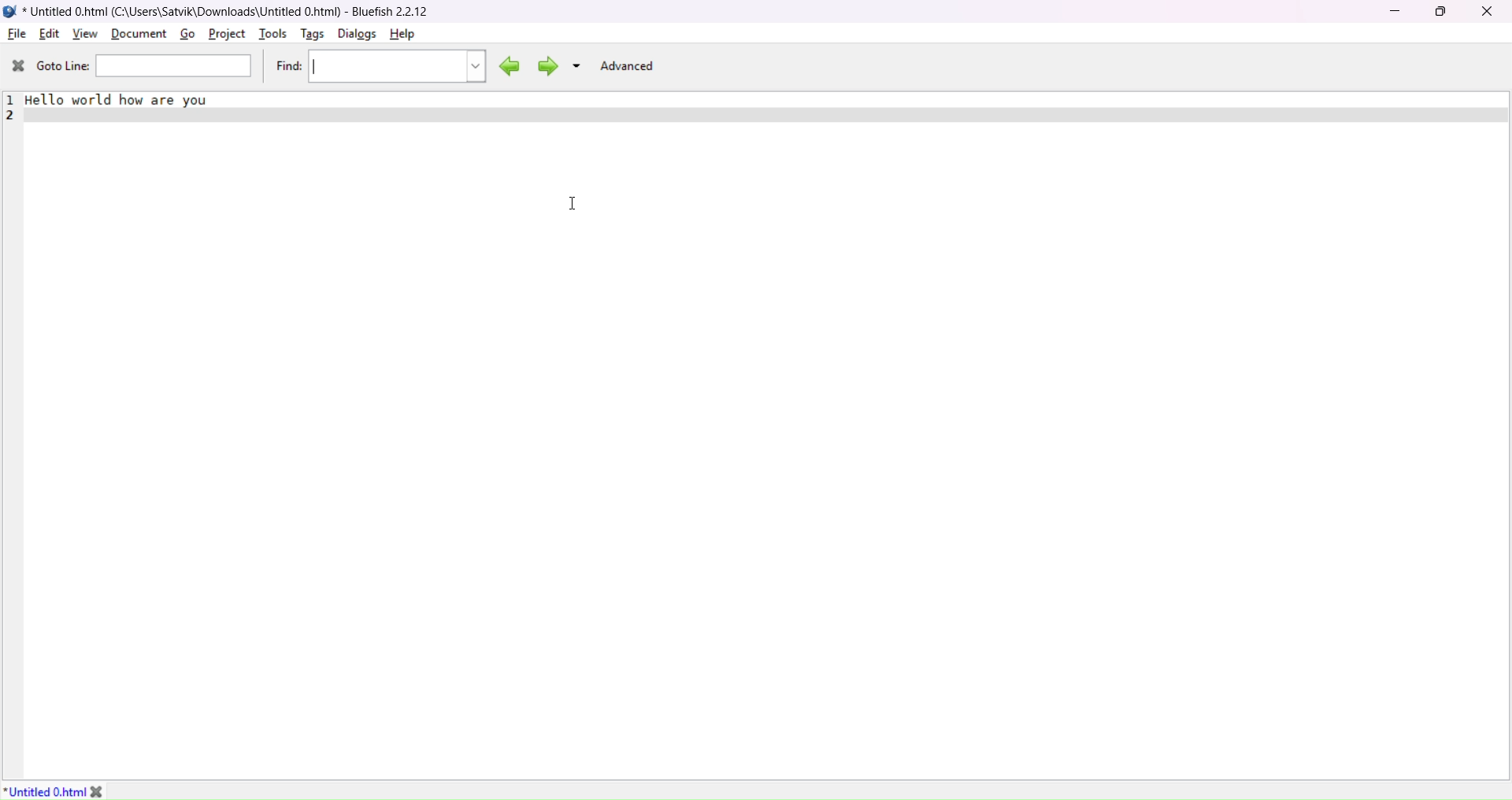 The width and height of the screenshot is (1512, 800). What do you see at coordinates (1442, 13) in the screenshot?
I see `Maximize` at bounding box center [1442, 13].